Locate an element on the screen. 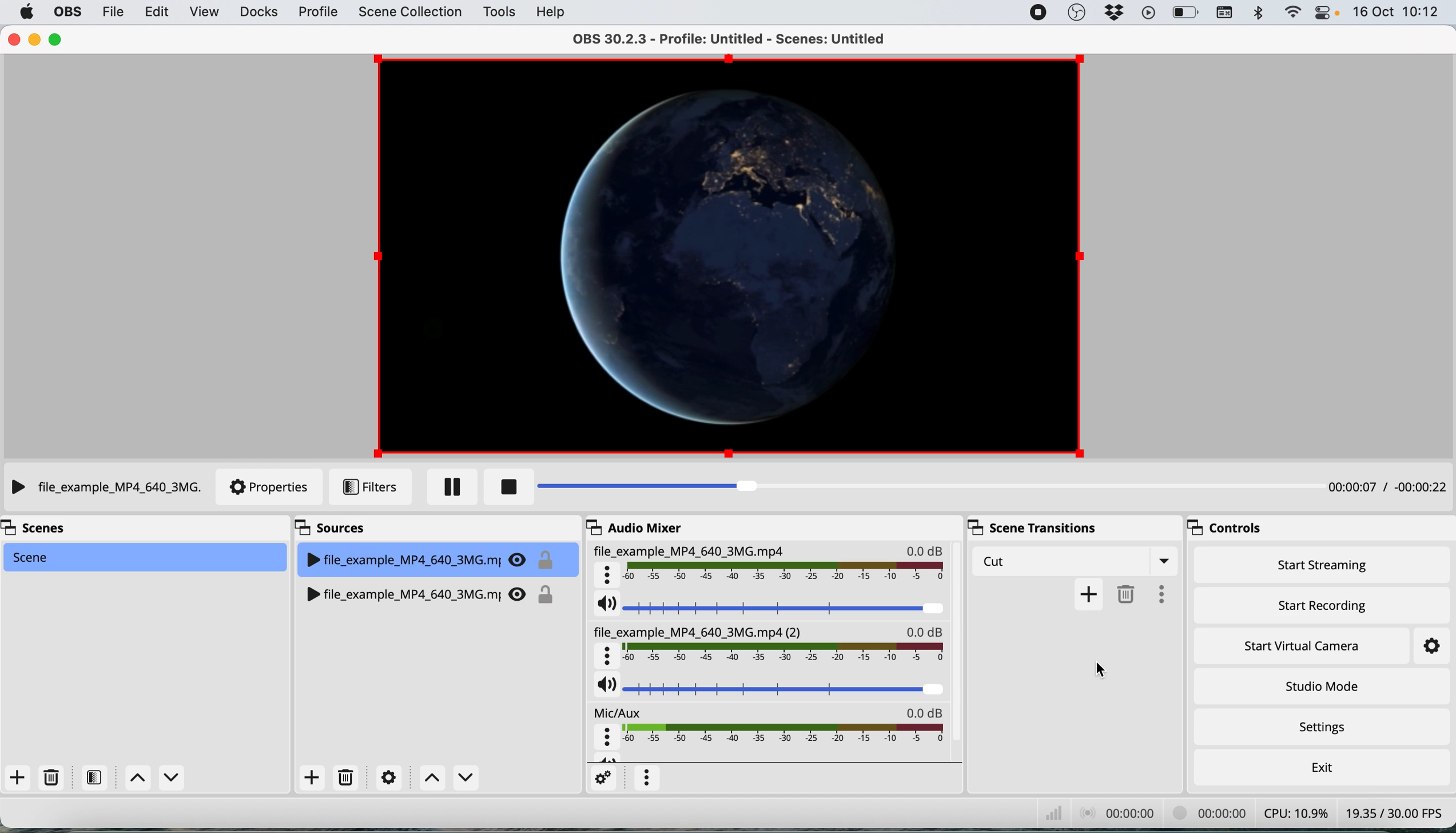  file_example_MP4_640_3MG.mp4(2) is located at coordinates (769, 644).